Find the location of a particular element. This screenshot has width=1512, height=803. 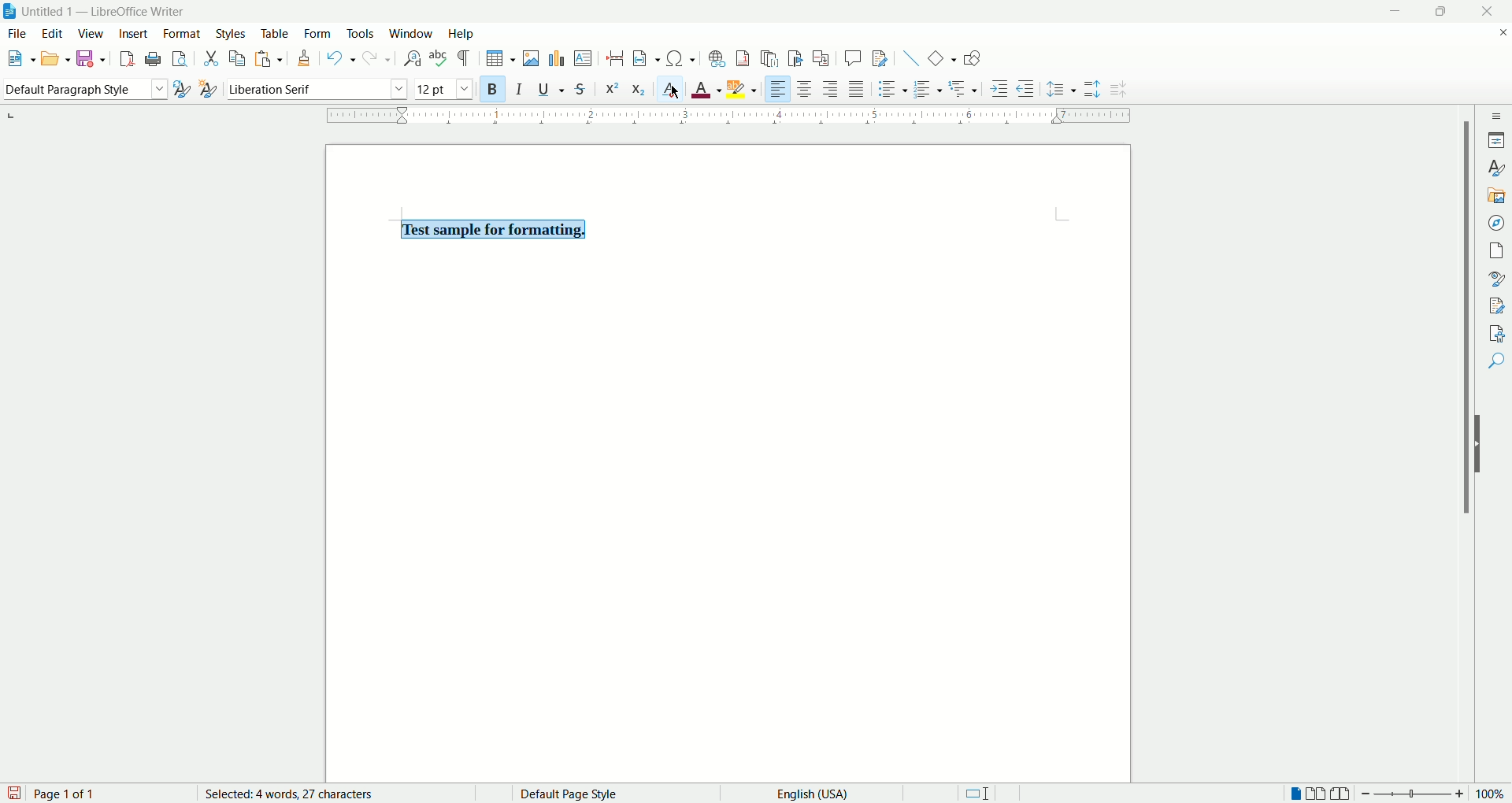

close is located at coordinates (1485, 11).